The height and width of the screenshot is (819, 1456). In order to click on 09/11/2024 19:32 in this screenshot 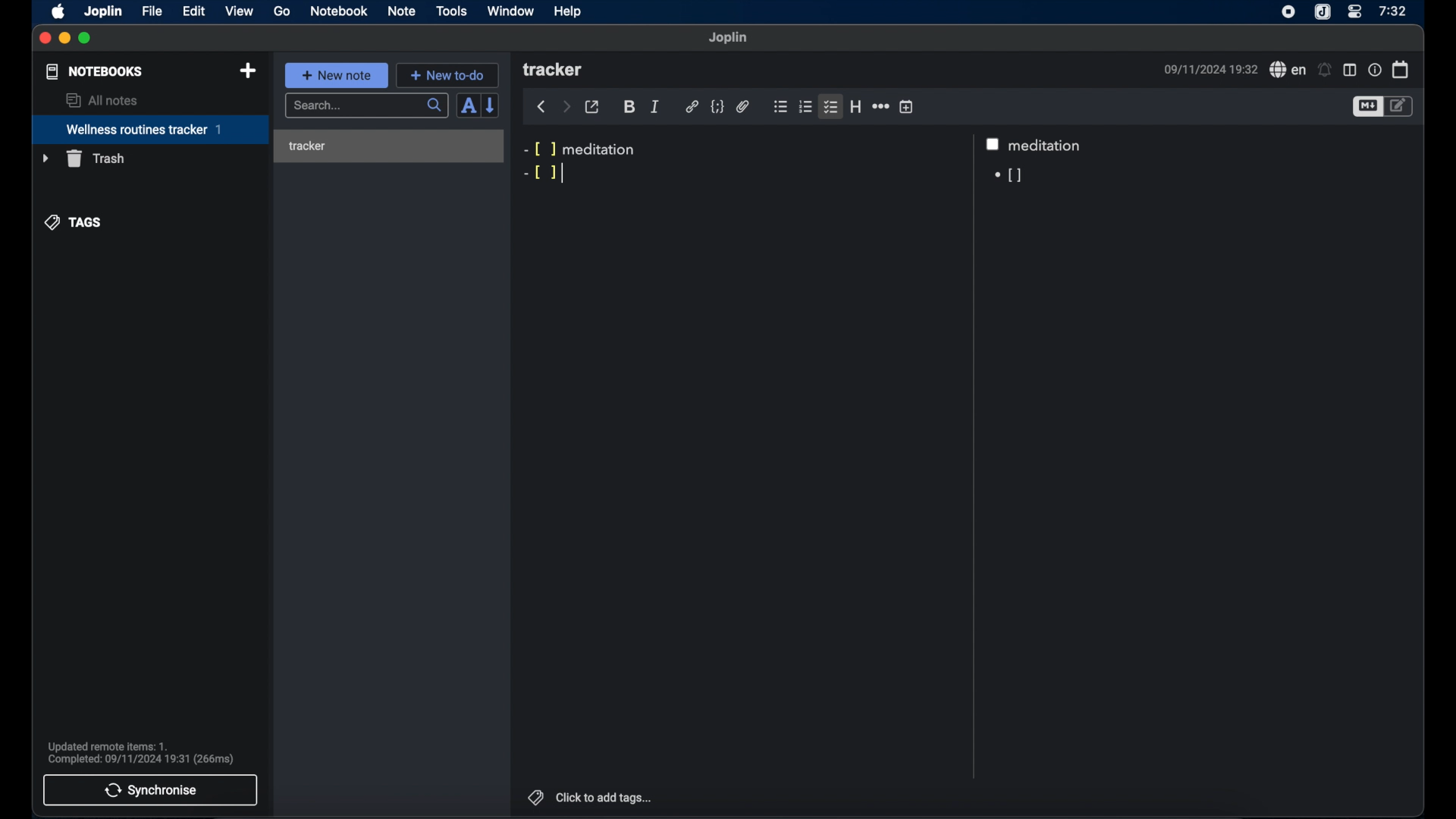, I will do `click(1208, 69)`.